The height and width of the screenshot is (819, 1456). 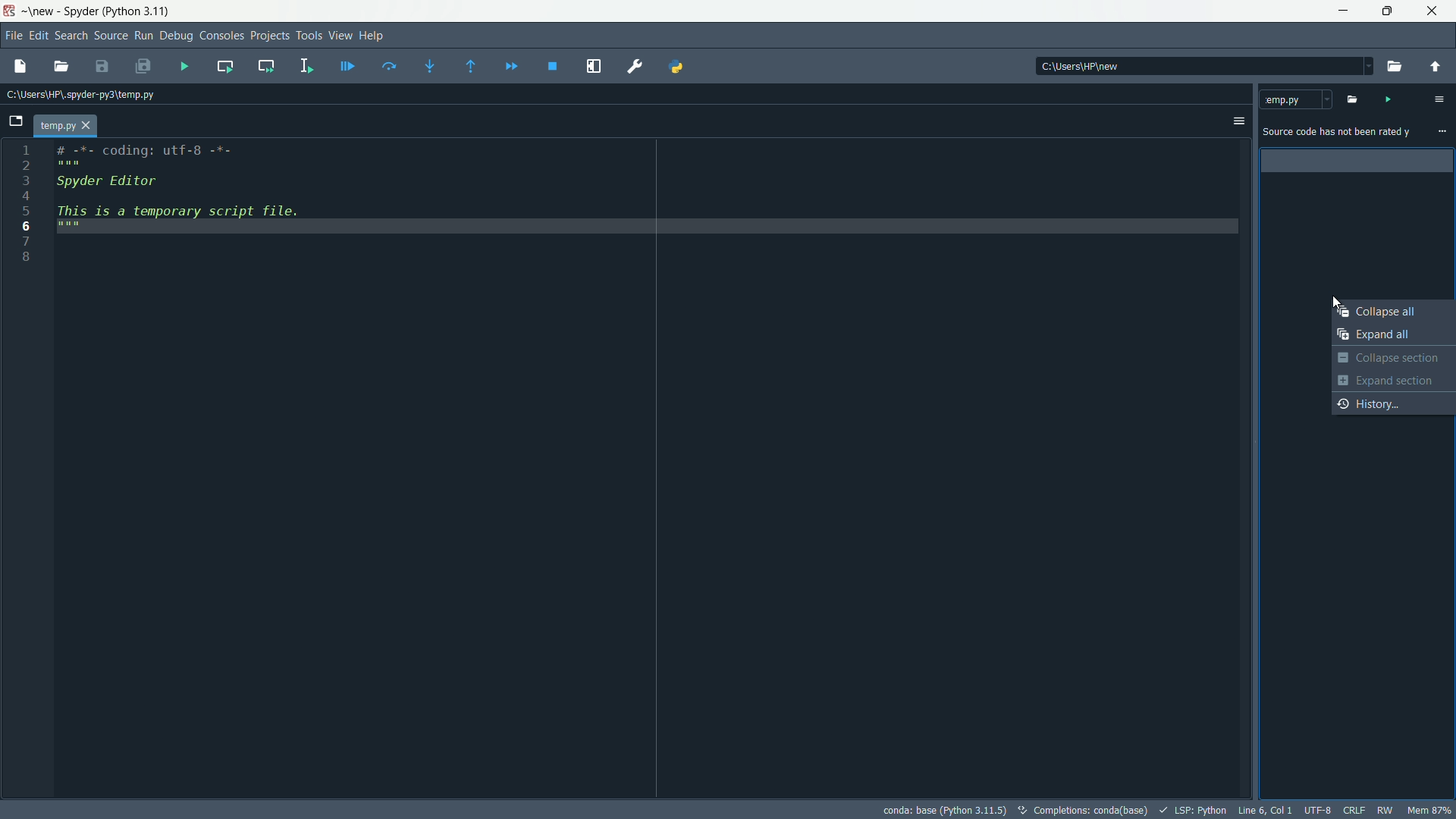 What do you see at coordinates (1393, 336) in the screenshot?
I see `expand all` at bounding box center [1393, 336].